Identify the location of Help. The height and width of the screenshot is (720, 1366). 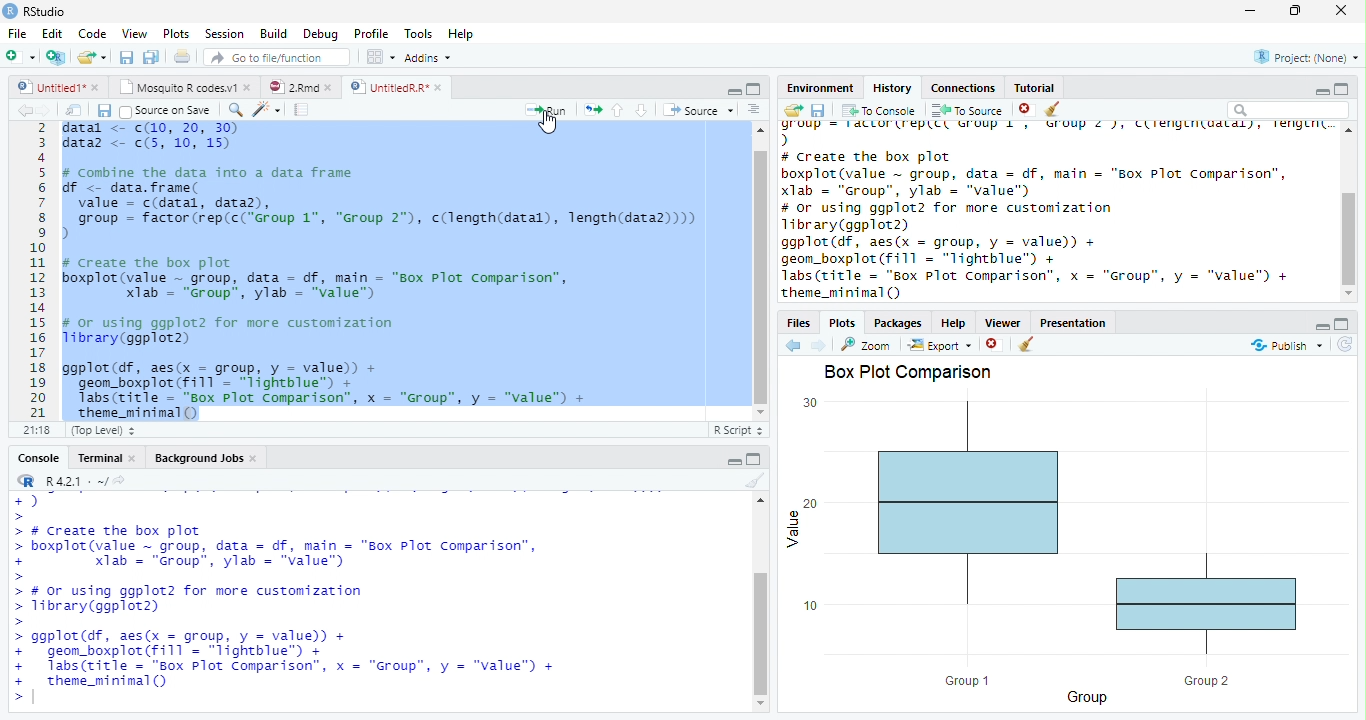
(461, 33).